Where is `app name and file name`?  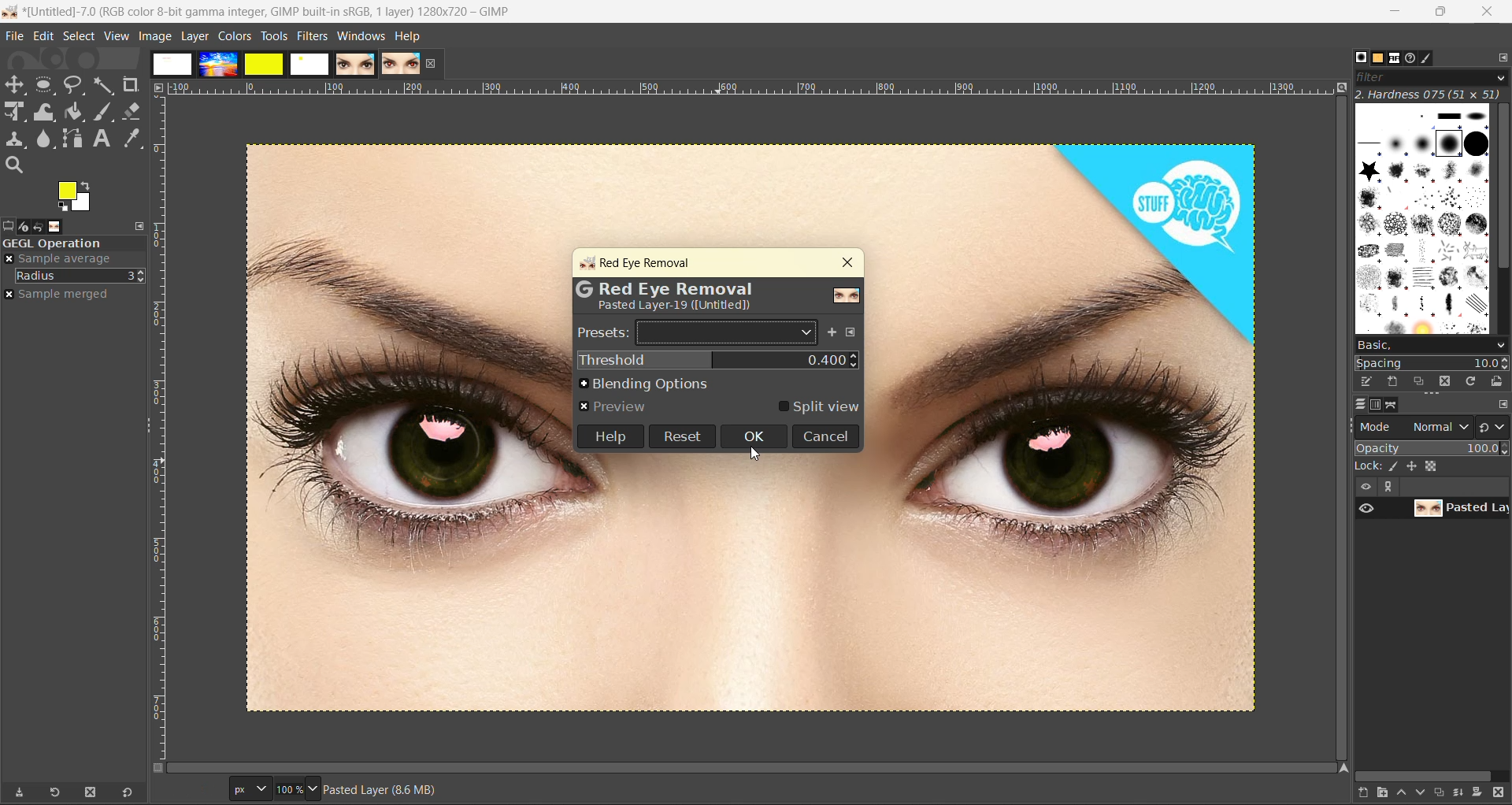
app name and file name is located at coordinates (264, 9).